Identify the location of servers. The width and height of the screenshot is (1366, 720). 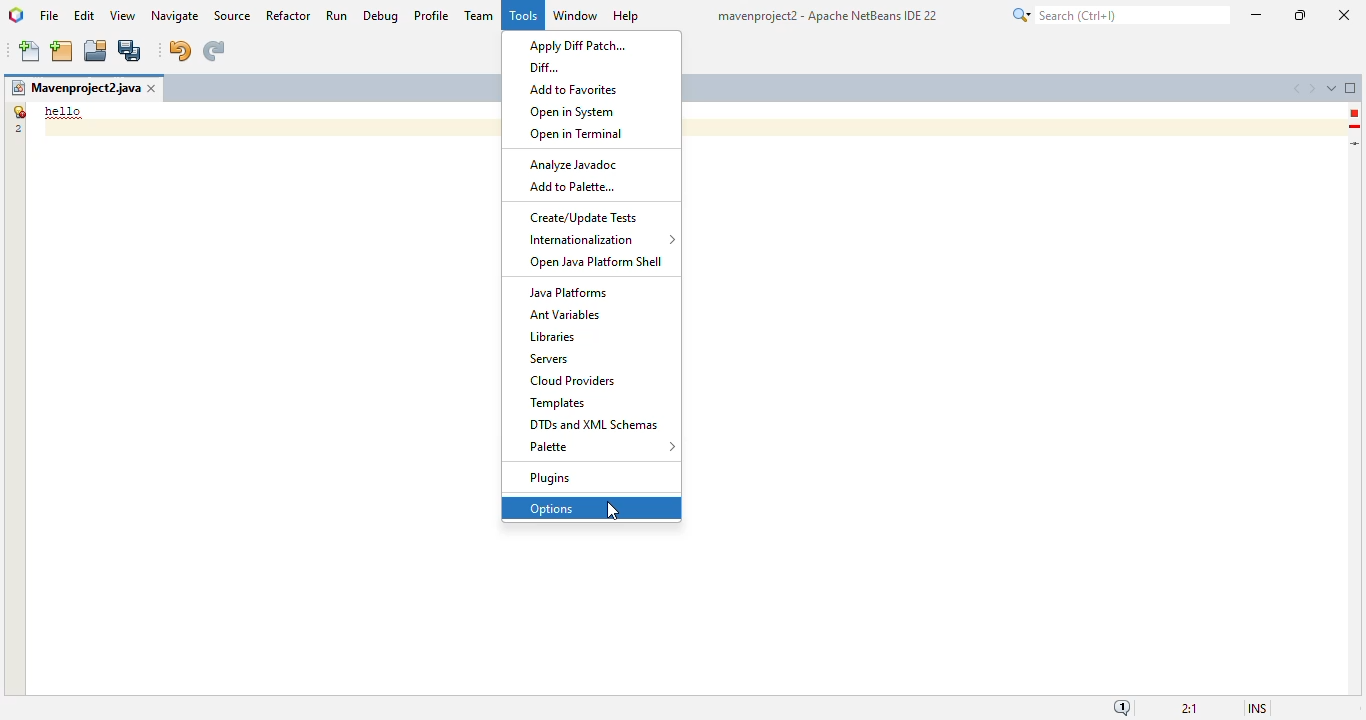
(548, 359).